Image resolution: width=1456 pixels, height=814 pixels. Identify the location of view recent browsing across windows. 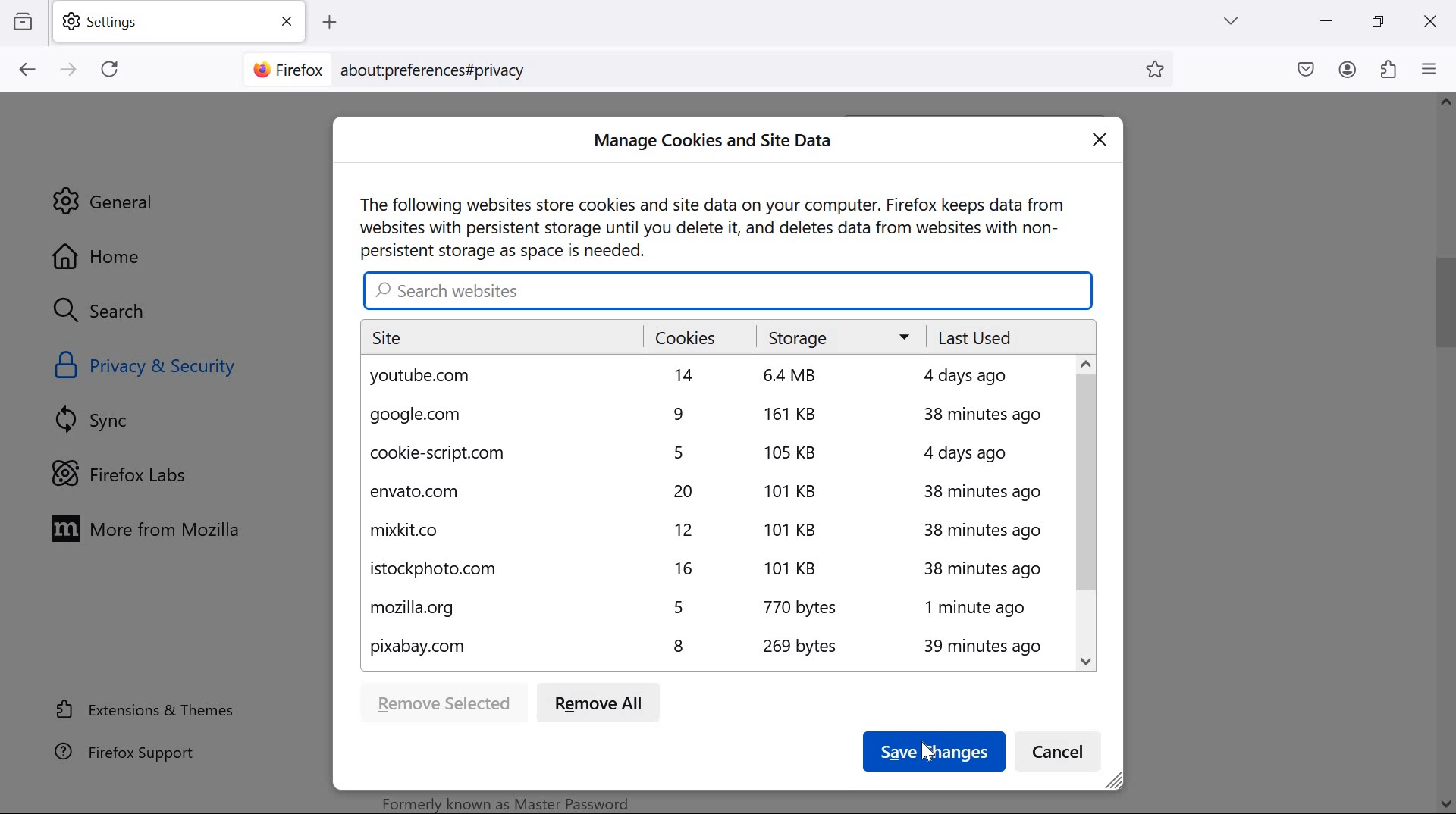
(23, 20).